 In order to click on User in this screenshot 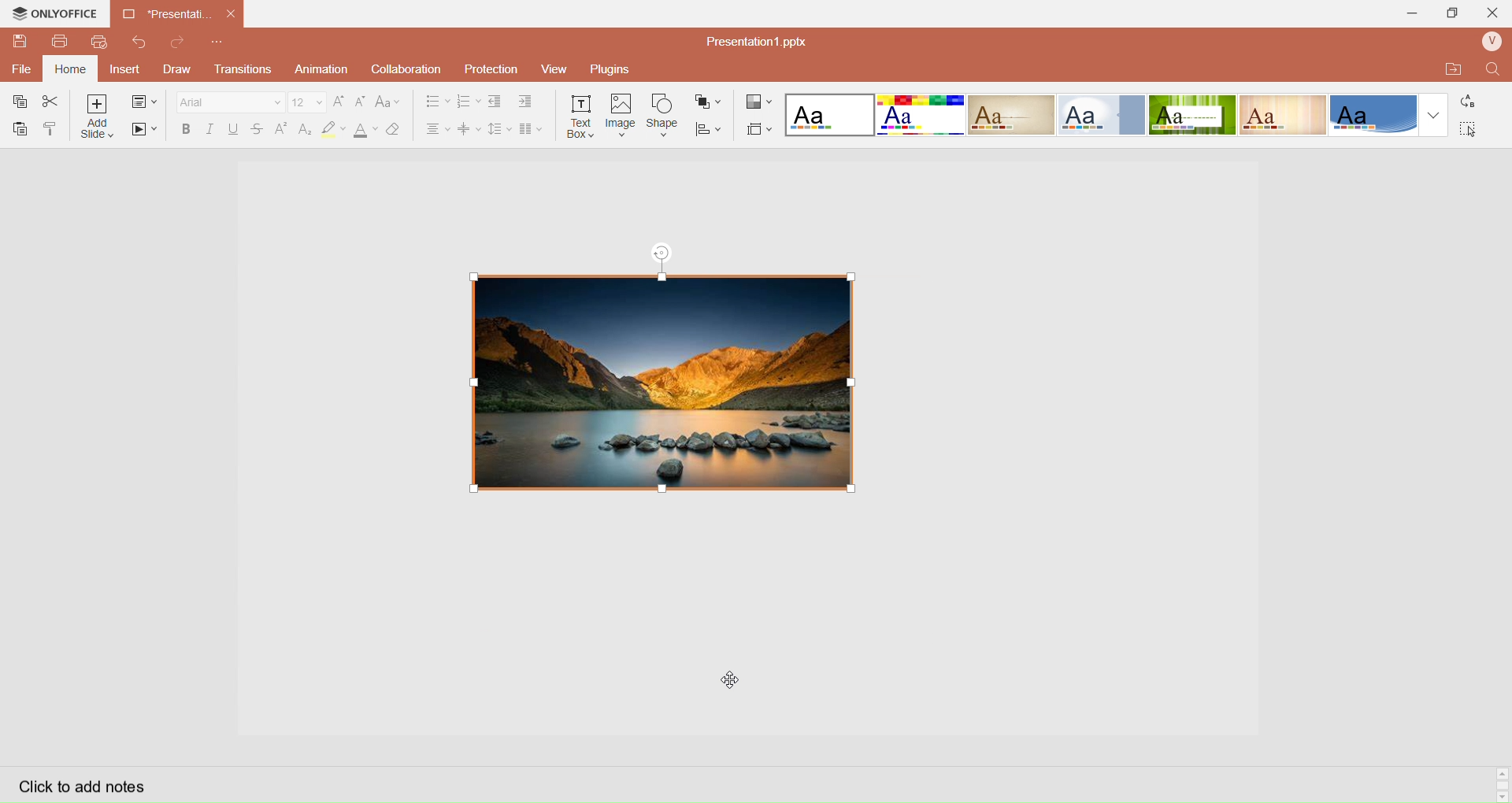, I will do `click(1492, 43)`.